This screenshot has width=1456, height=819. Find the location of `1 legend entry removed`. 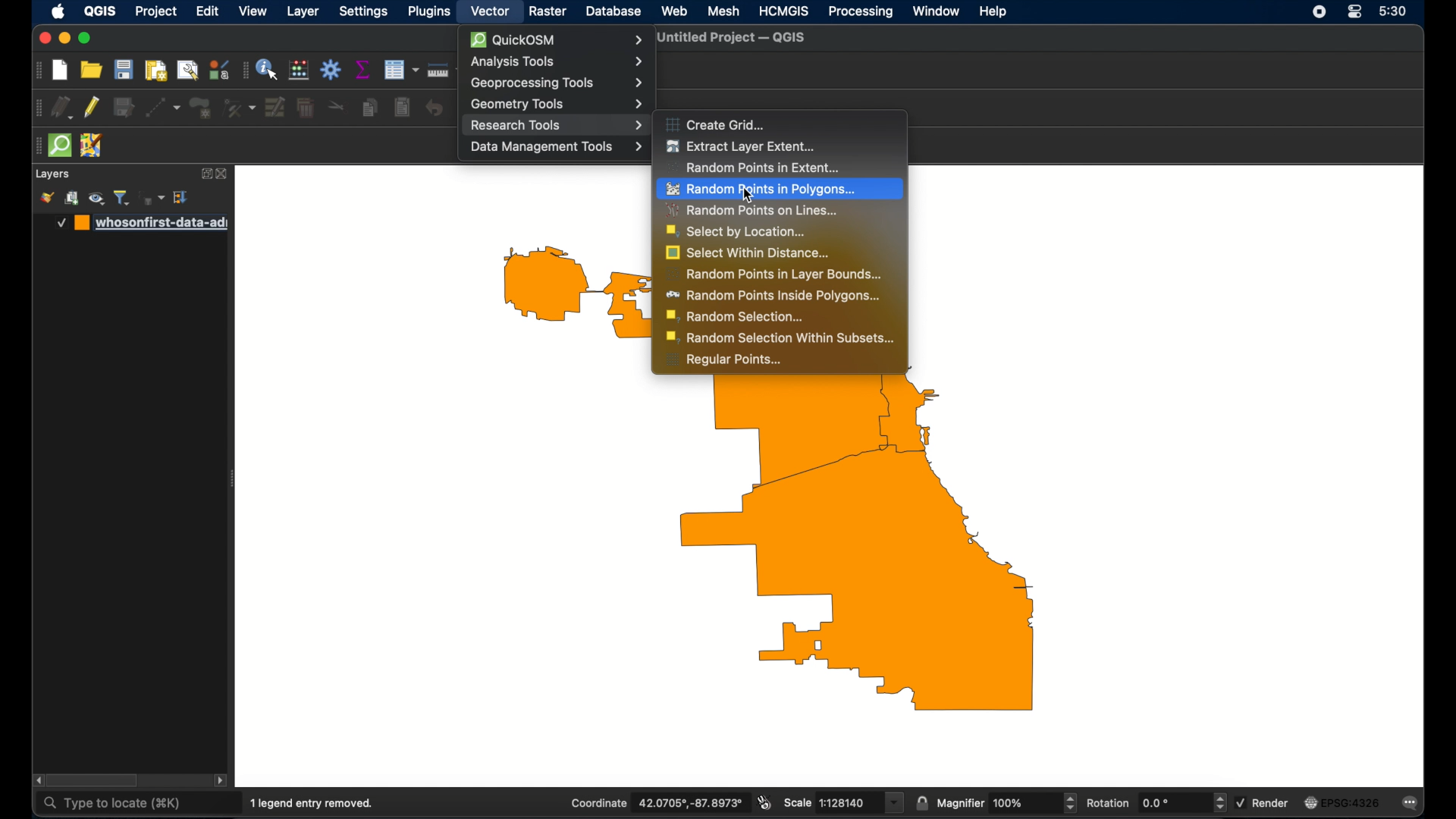

1 legend entry removed is located at coordinates (312, 804).